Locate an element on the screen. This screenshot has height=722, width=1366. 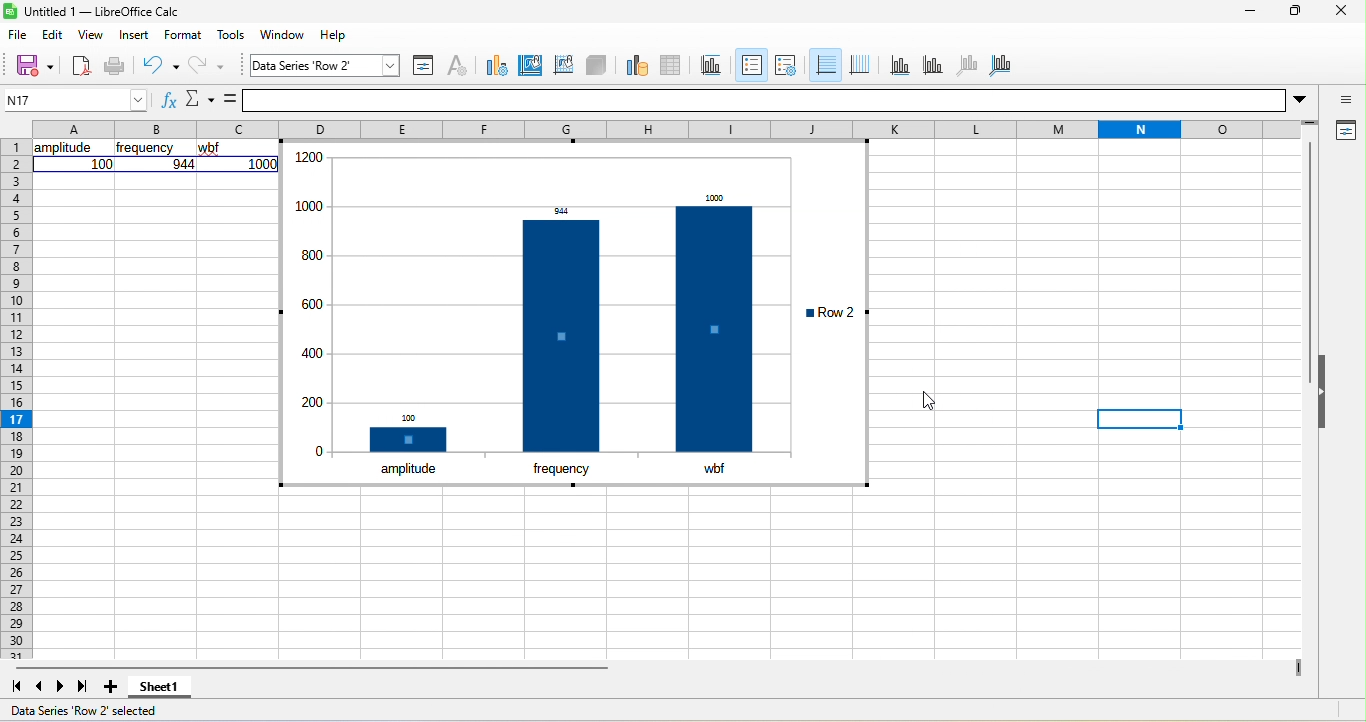
last sheet is located at coordinates (86, 688).